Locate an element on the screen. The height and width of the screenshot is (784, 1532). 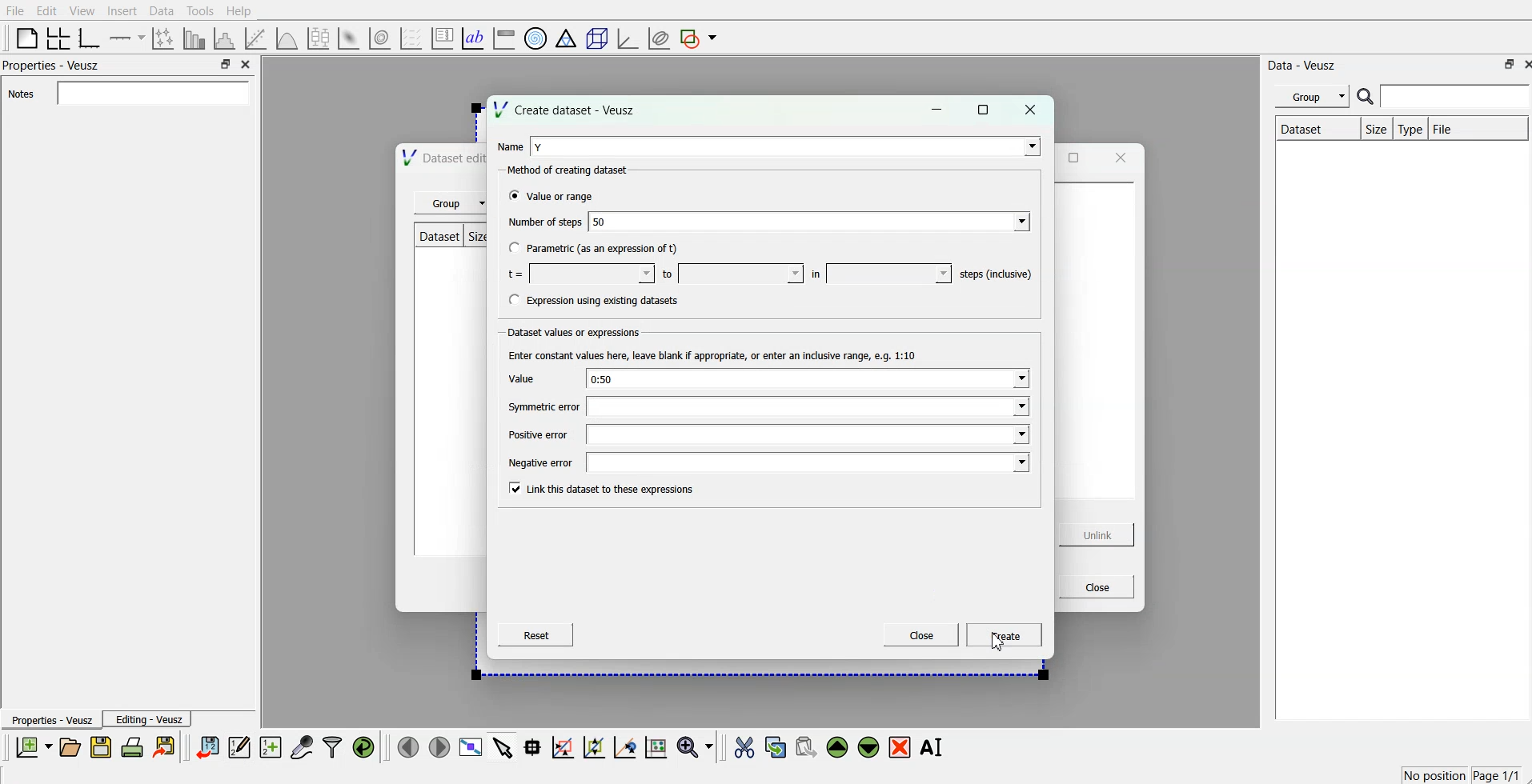
symmetric error value field is located at coordinates (808, 408).